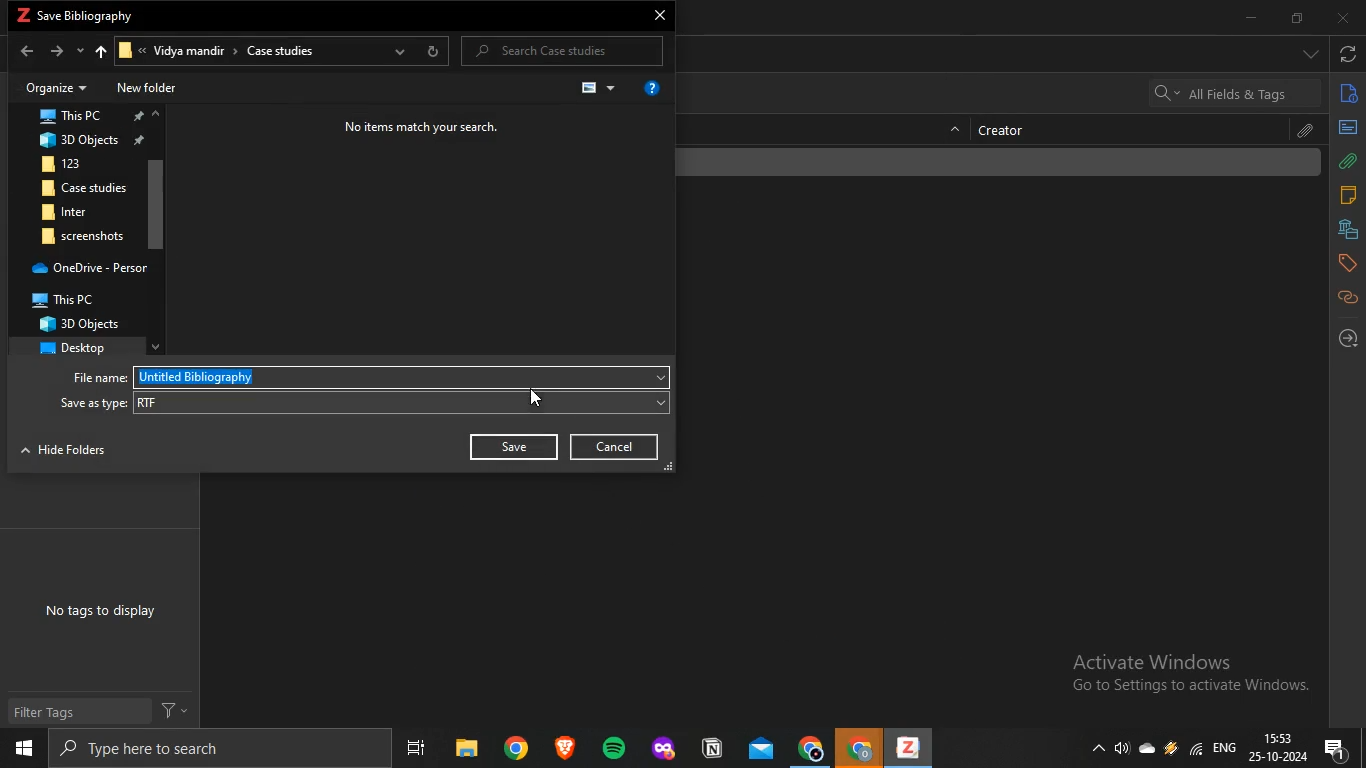 The height and width of the screenshot is (768, 1366). I want to click on mail, so click(763, 748).